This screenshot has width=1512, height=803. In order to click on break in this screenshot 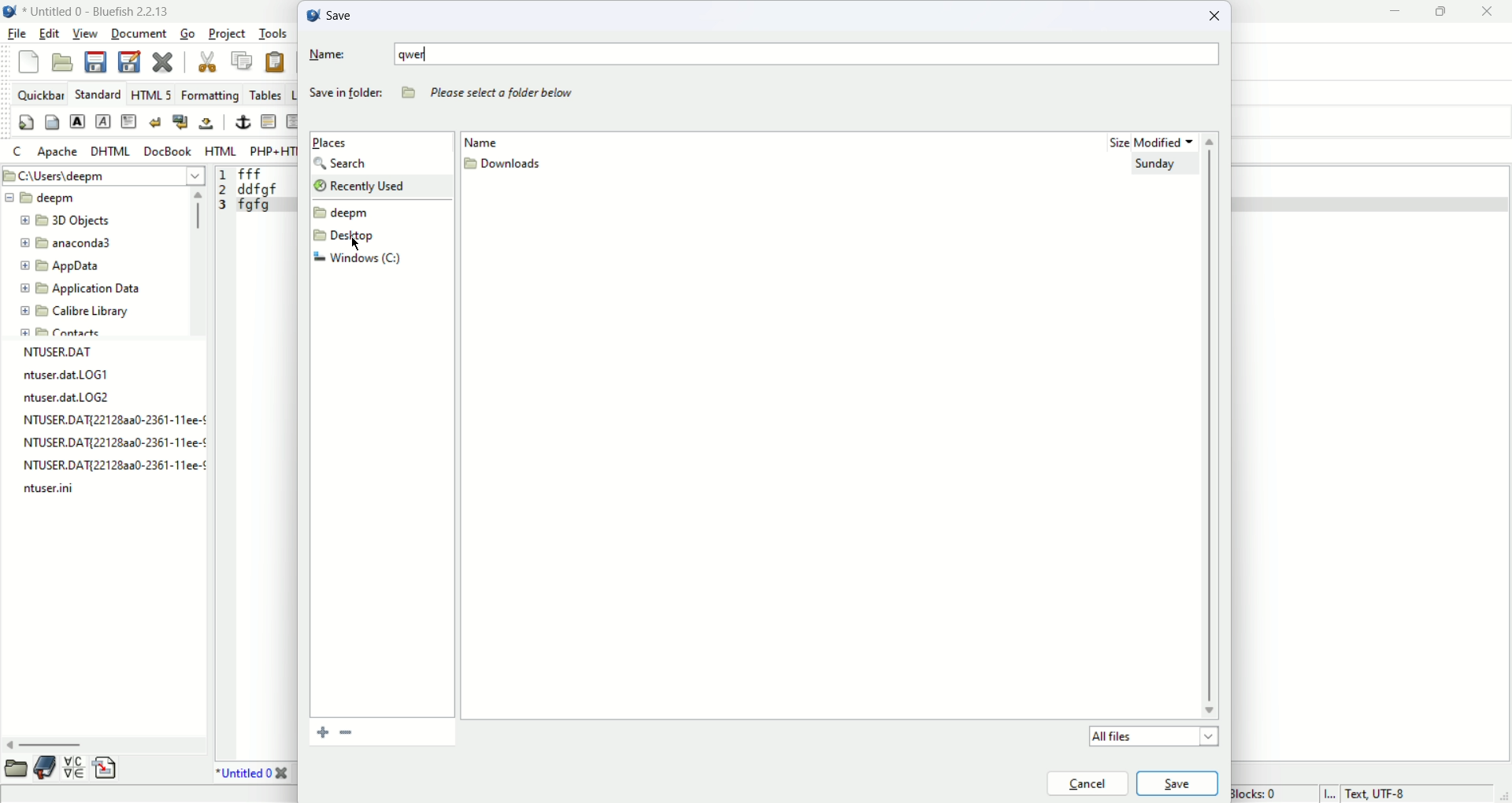, I will do `click(155, 123)`.